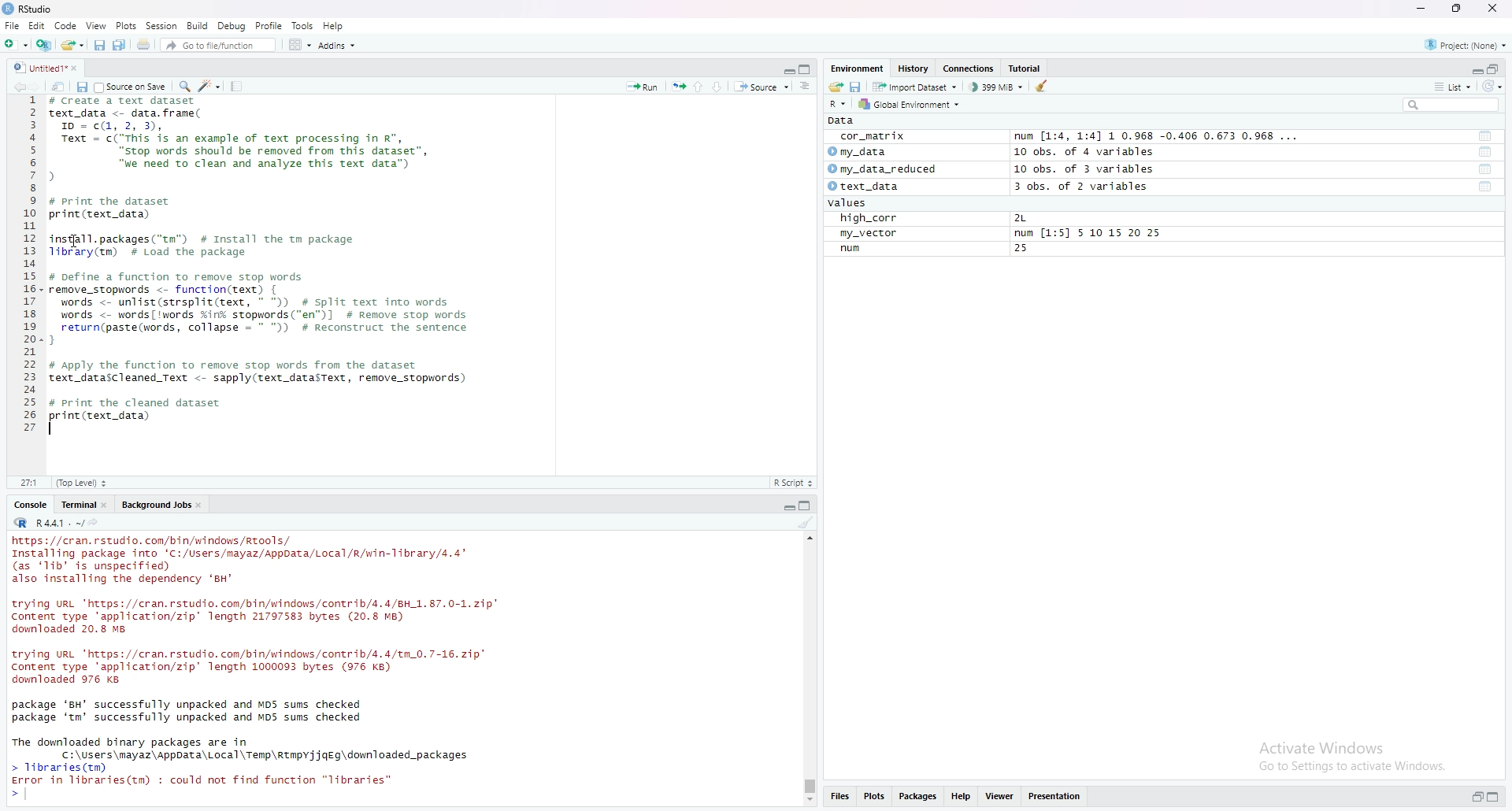 The height and width of the screenshot is (811, 1512). I want to click on save current document, so click(98, 46).